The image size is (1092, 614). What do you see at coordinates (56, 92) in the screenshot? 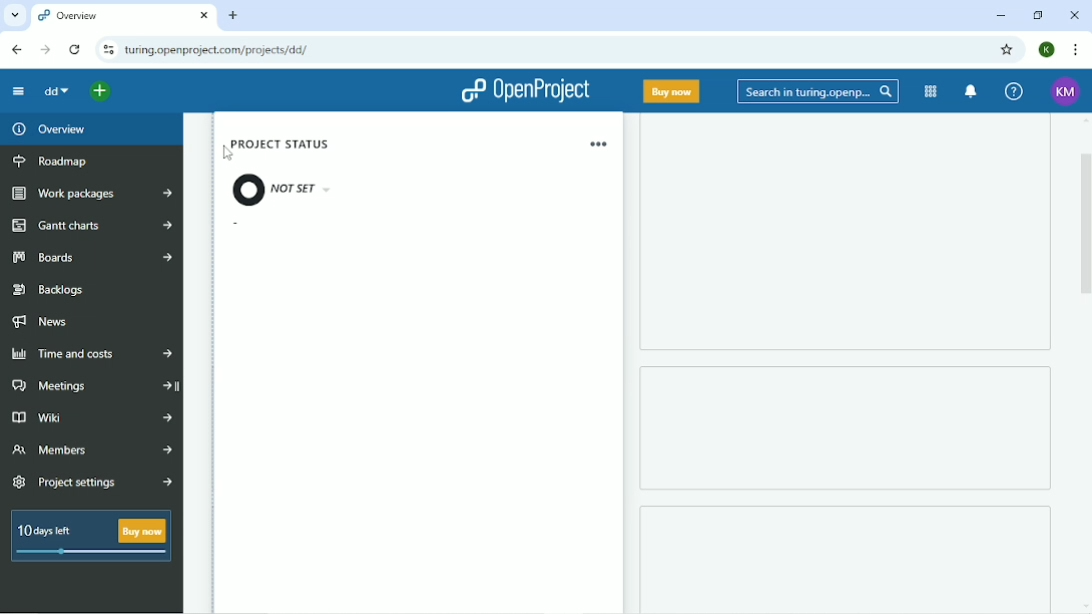
I see `dd` at bounding box center [56, 92].